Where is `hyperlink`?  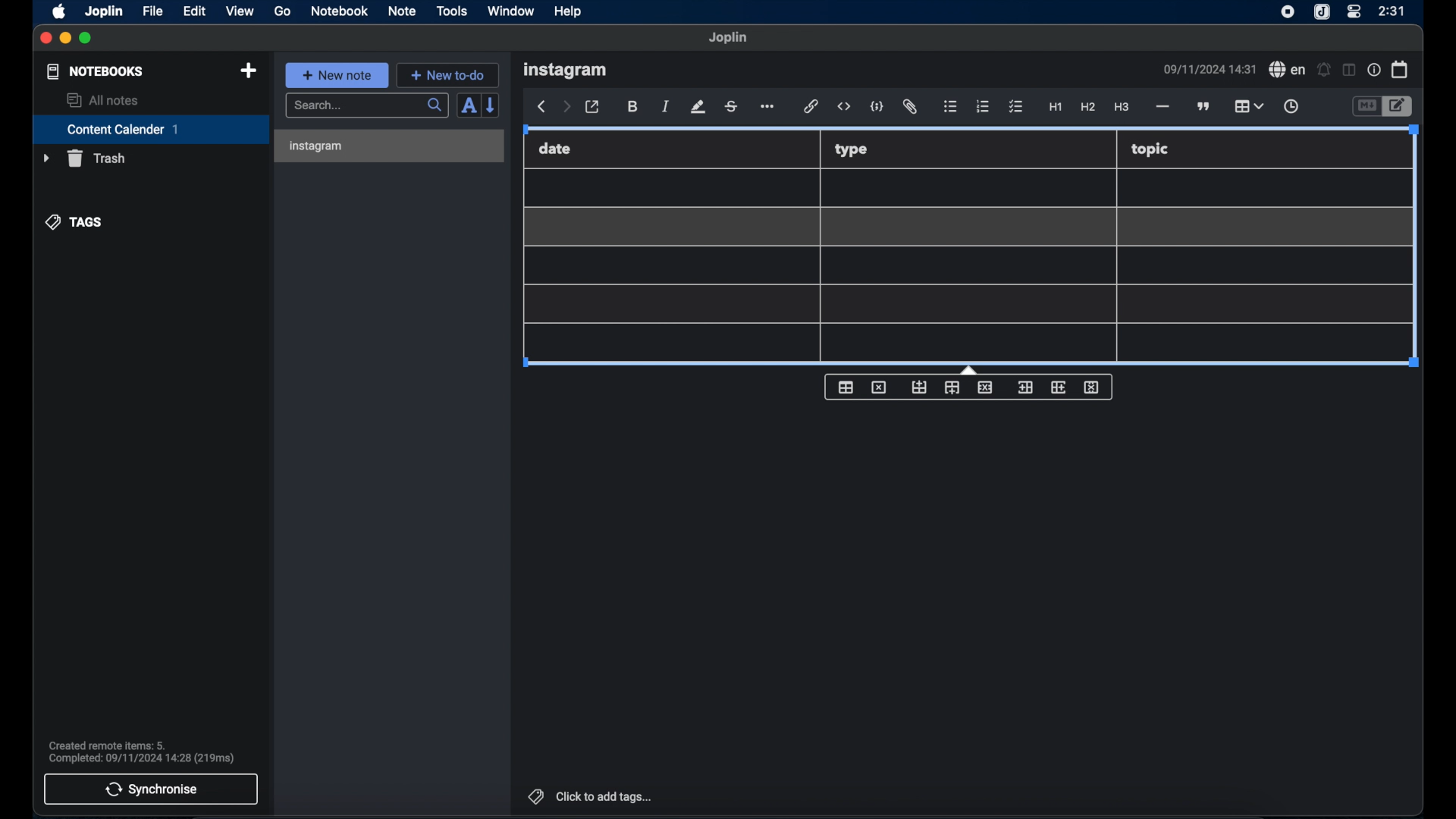 hyperlink is located at coordinates (810, 105).